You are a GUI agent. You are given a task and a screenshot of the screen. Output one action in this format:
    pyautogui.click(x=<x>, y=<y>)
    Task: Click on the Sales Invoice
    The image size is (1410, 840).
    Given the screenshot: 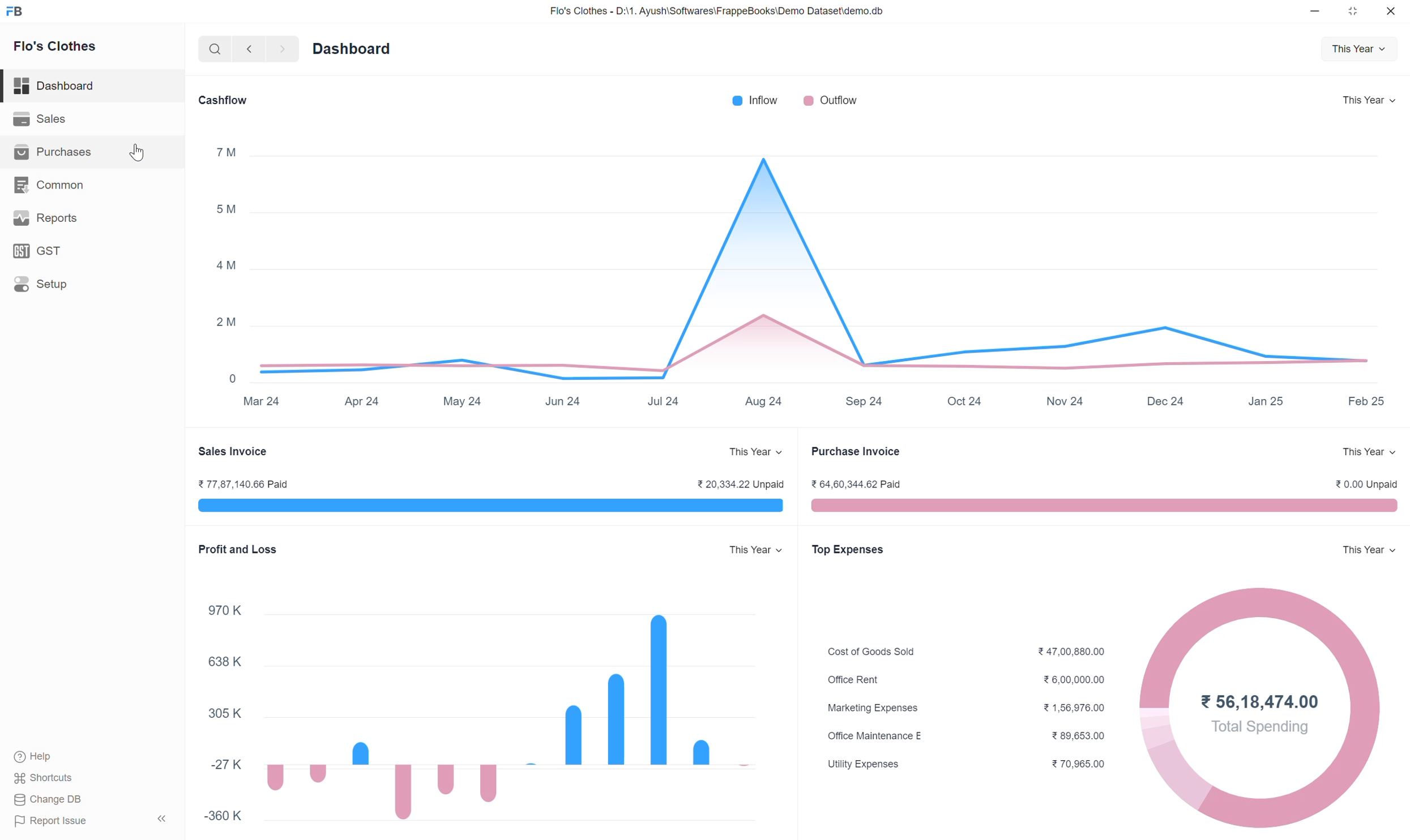 What is the action you would take?
    pyautogui.click(x=232, y=452)
    